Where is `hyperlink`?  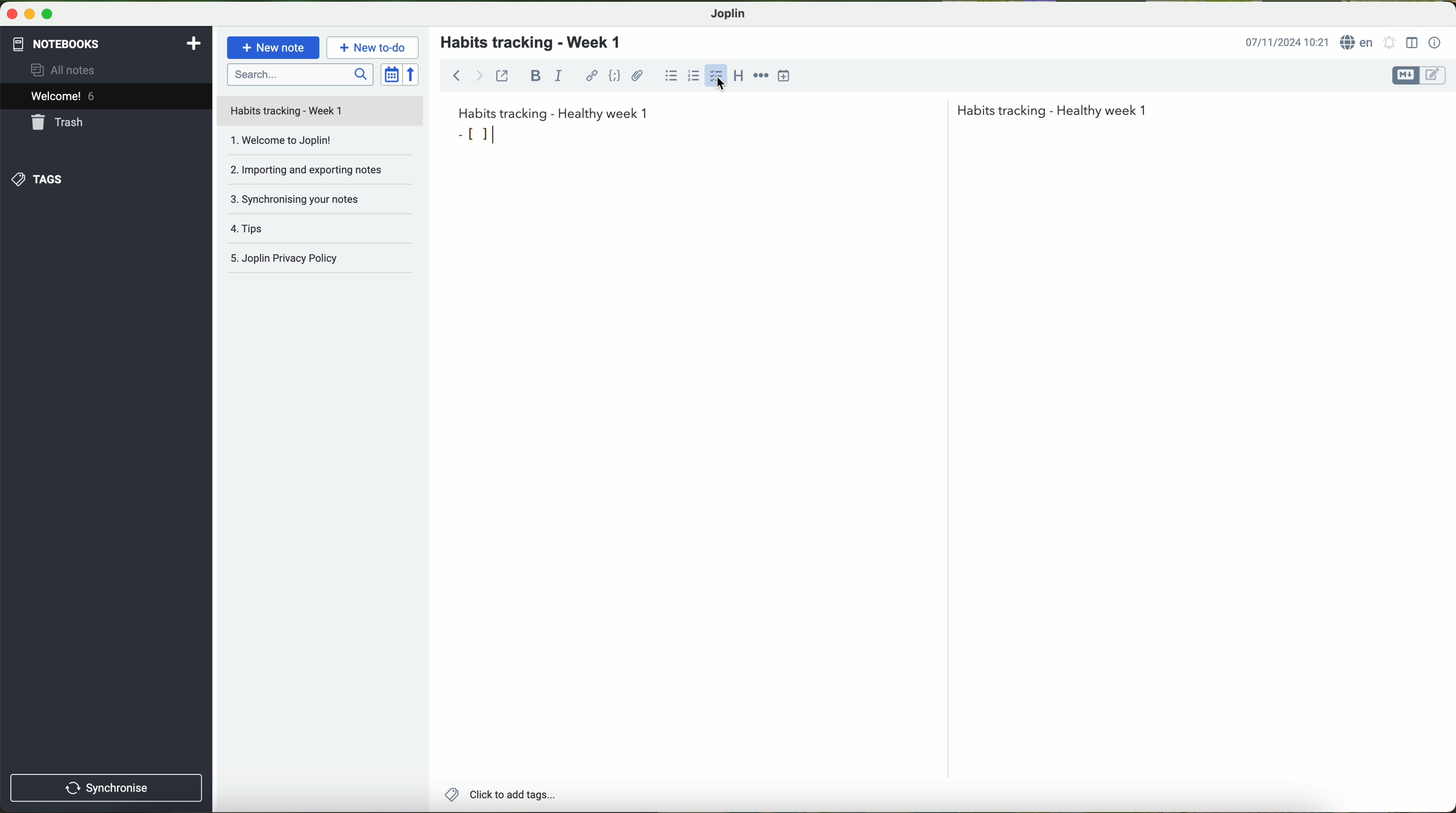
hyperlink is located at coordinates (592, 76).